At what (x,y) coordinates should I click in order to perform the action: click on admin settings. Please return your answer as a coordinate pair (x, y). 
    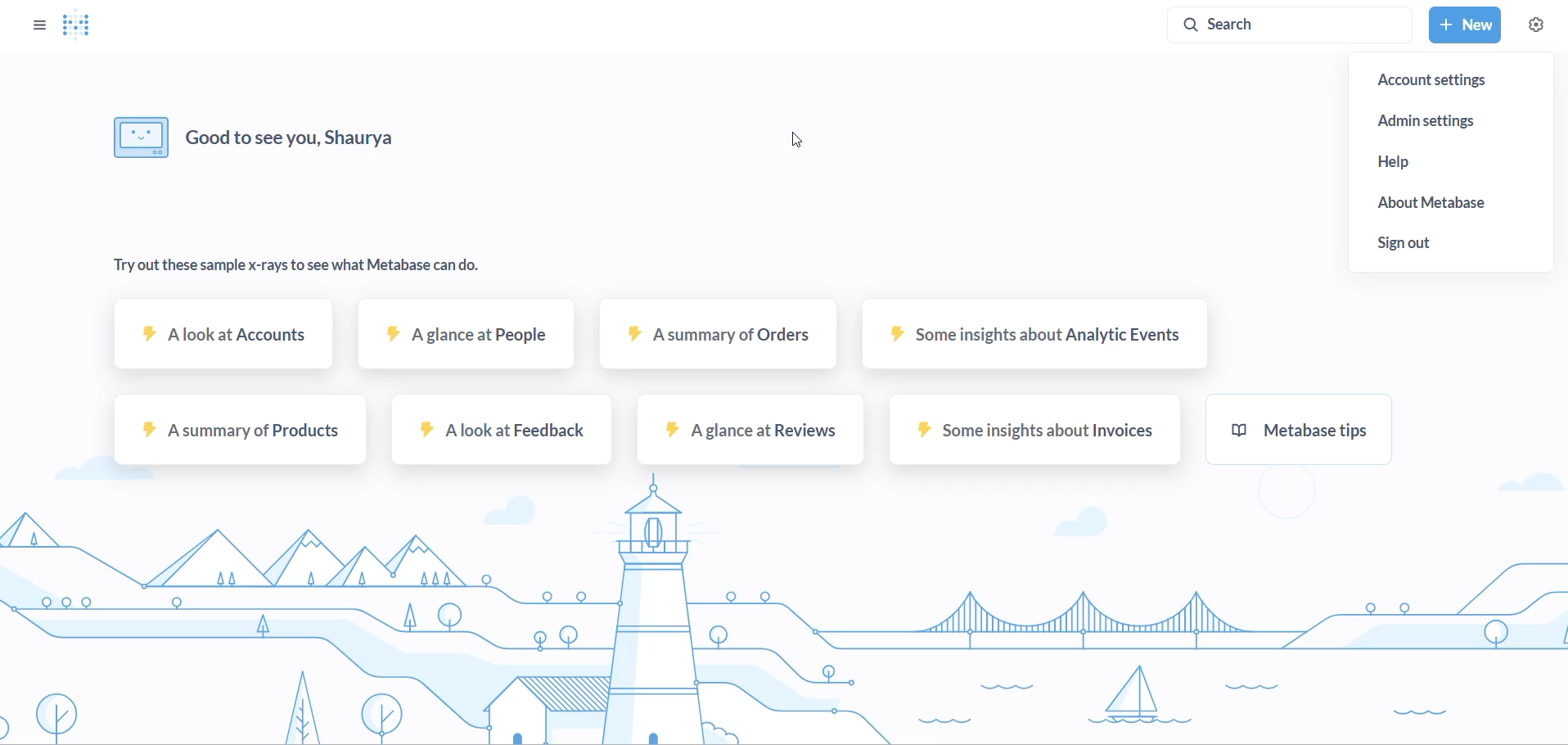
    Looking at the image, I should click on (1453, 120).